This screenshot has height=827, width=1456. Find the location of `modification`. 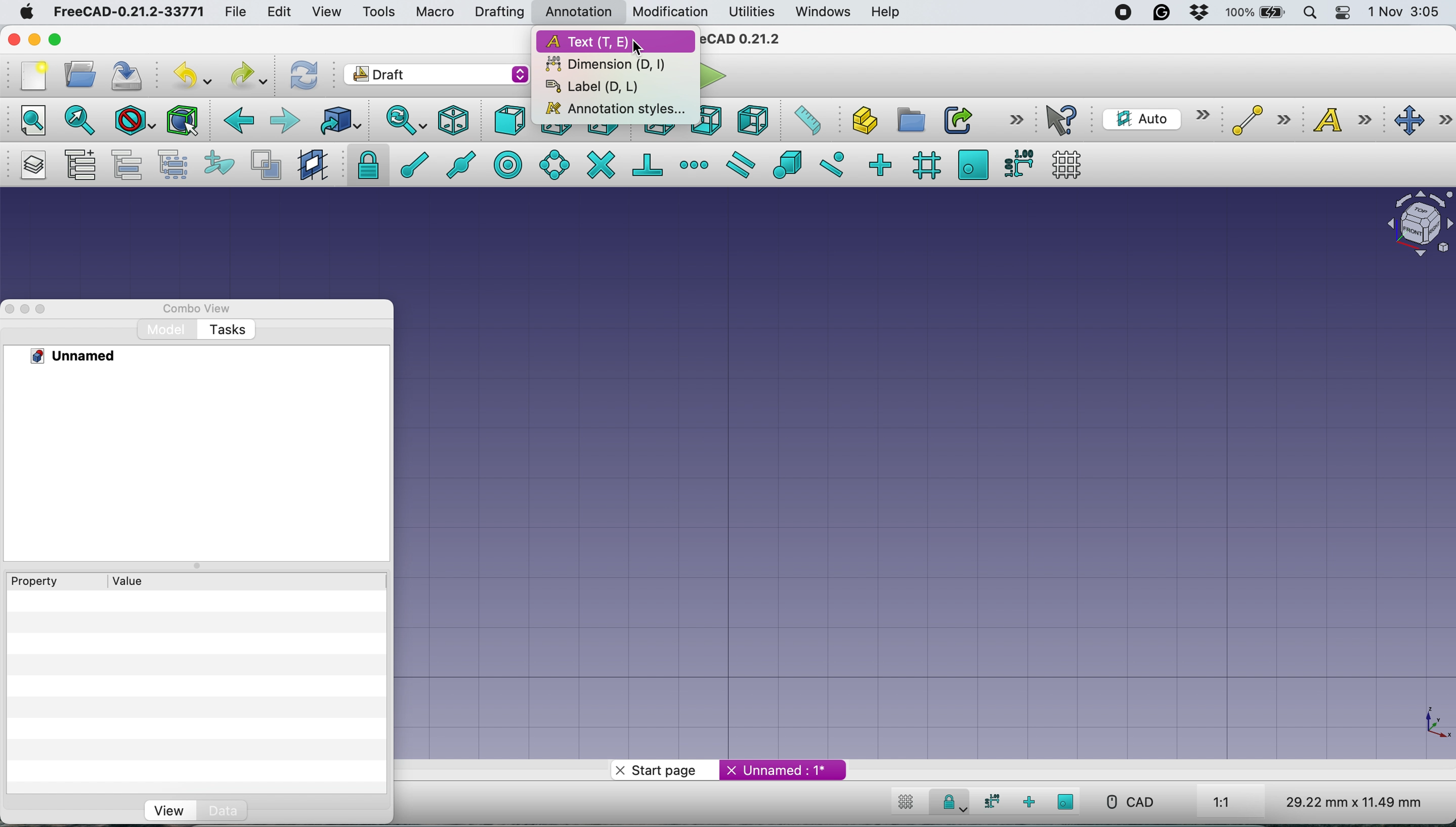

modification is located at coordinates (671, 12).